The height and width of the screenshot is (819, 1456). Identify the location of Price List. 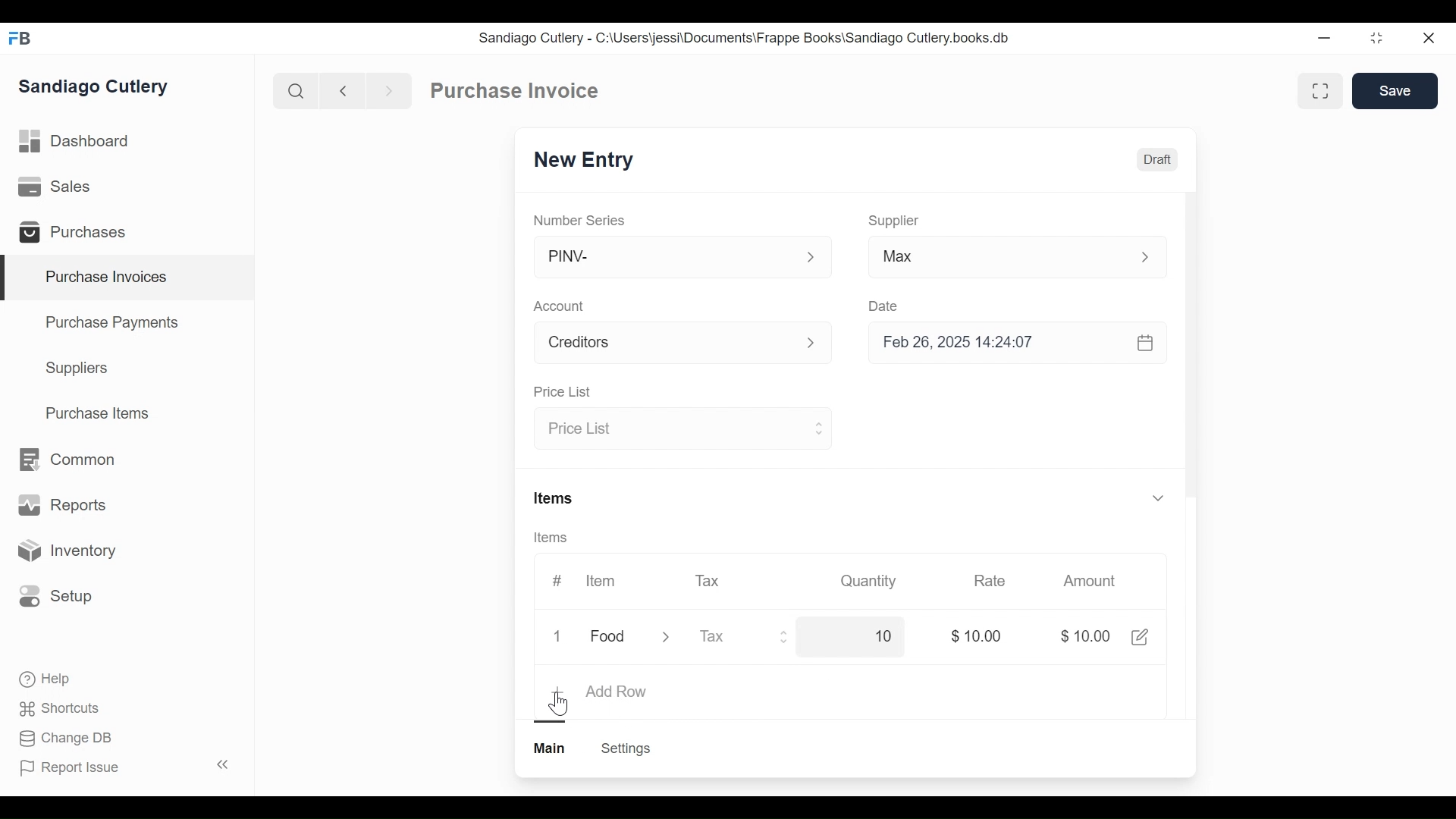
(669, 430).